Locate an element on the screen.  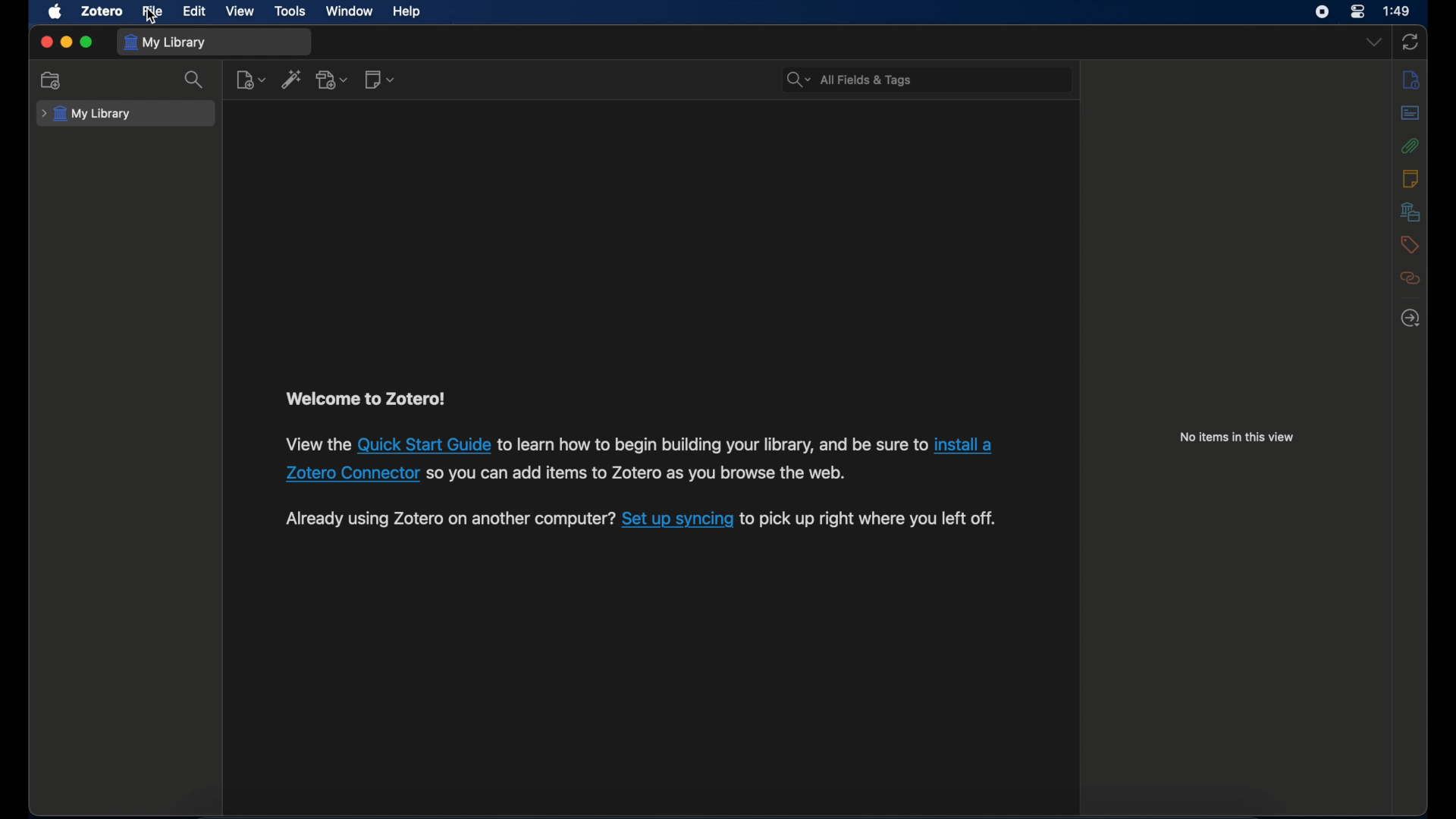
related is located at coordinates (1411, 279).